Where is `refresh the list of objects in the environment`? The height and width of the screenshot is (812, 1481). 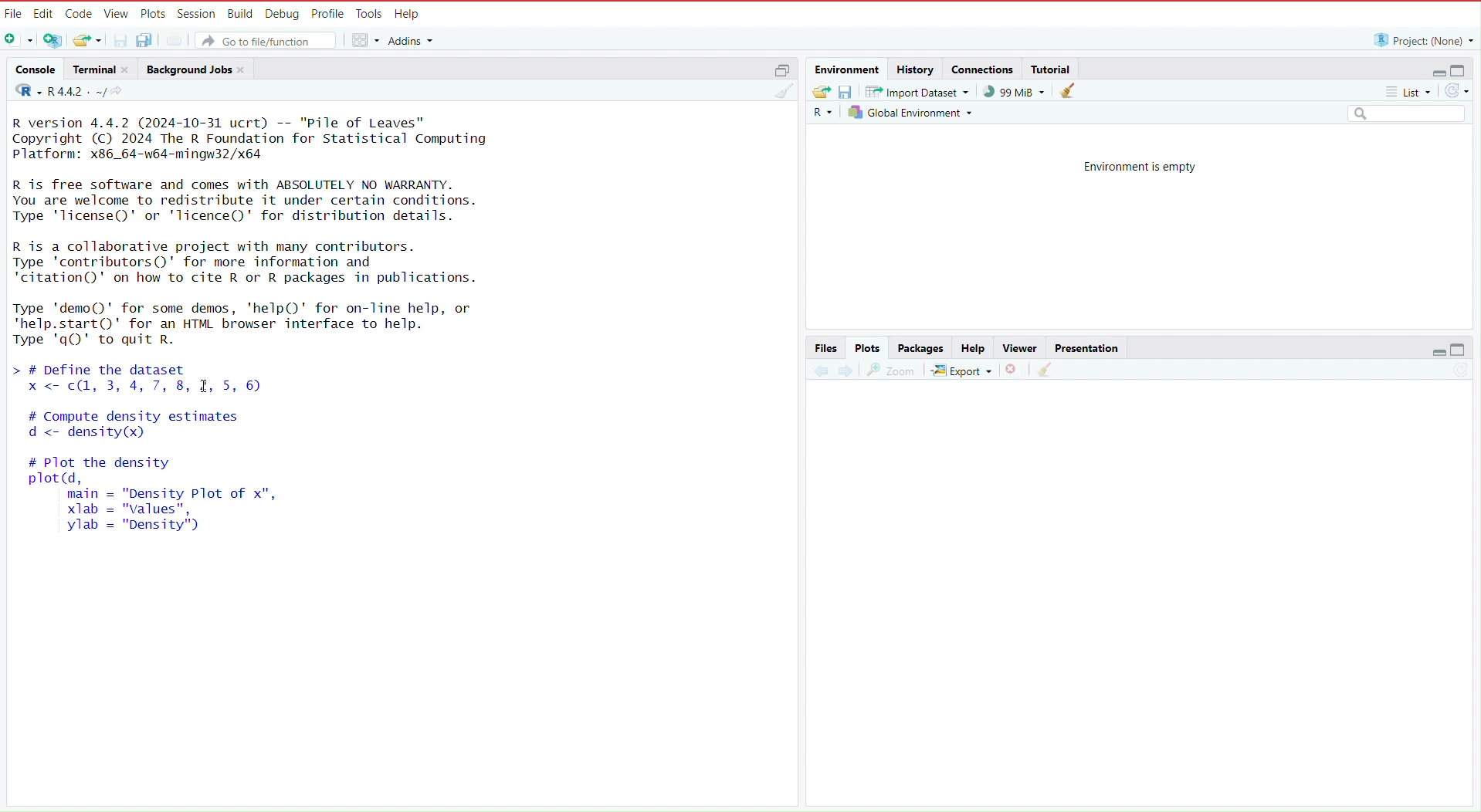
refresh the list of objects in the environment is located at coordinates (1462, 92).